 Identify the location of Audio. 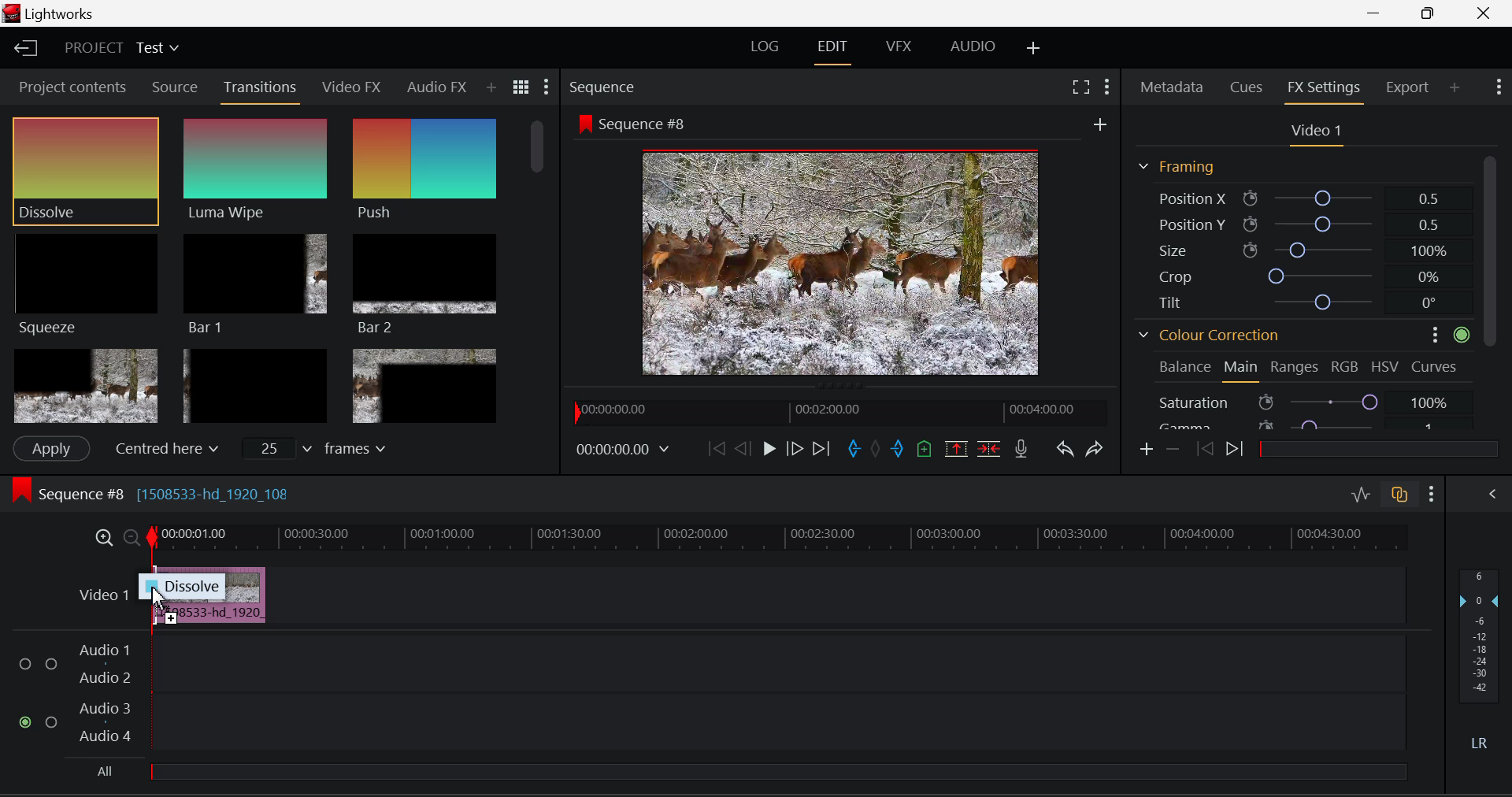
(417, 86).